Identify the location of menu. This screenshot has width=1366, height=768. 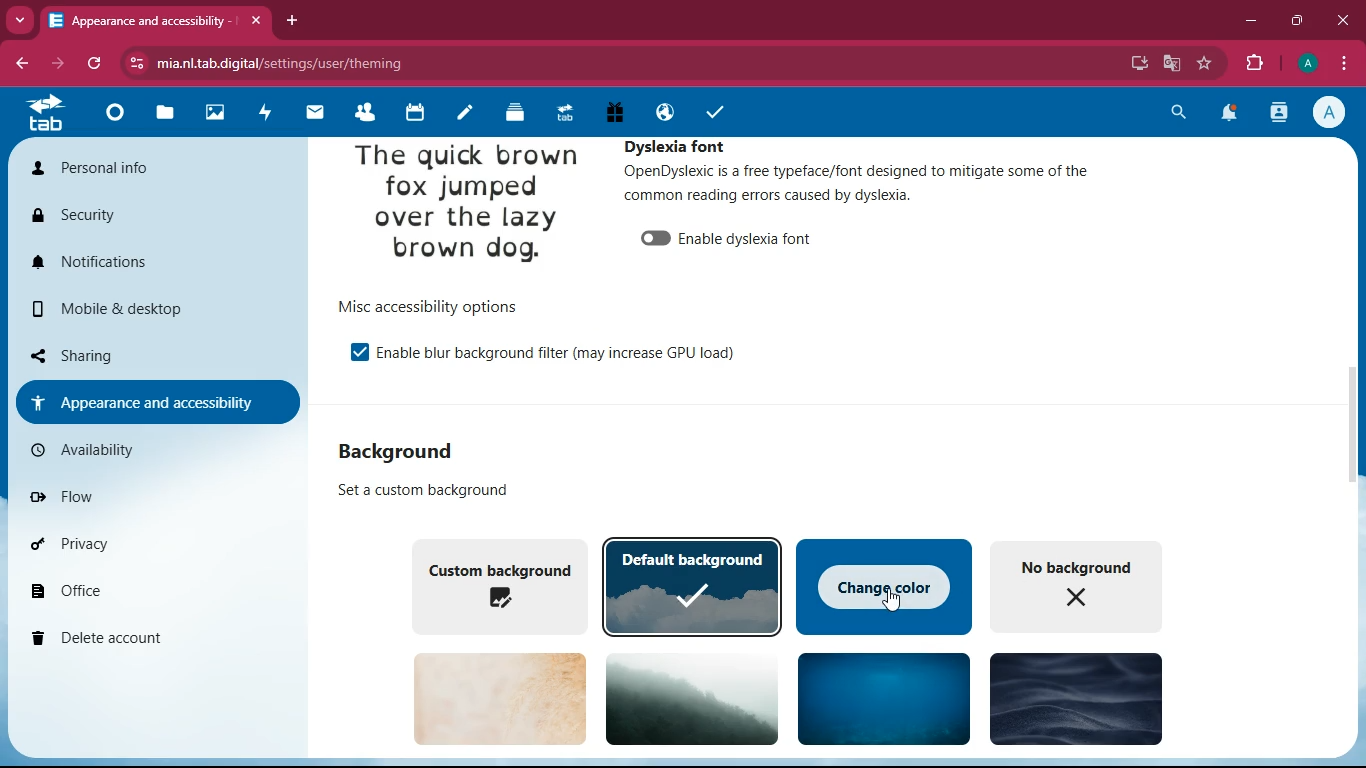
(1343, 61).